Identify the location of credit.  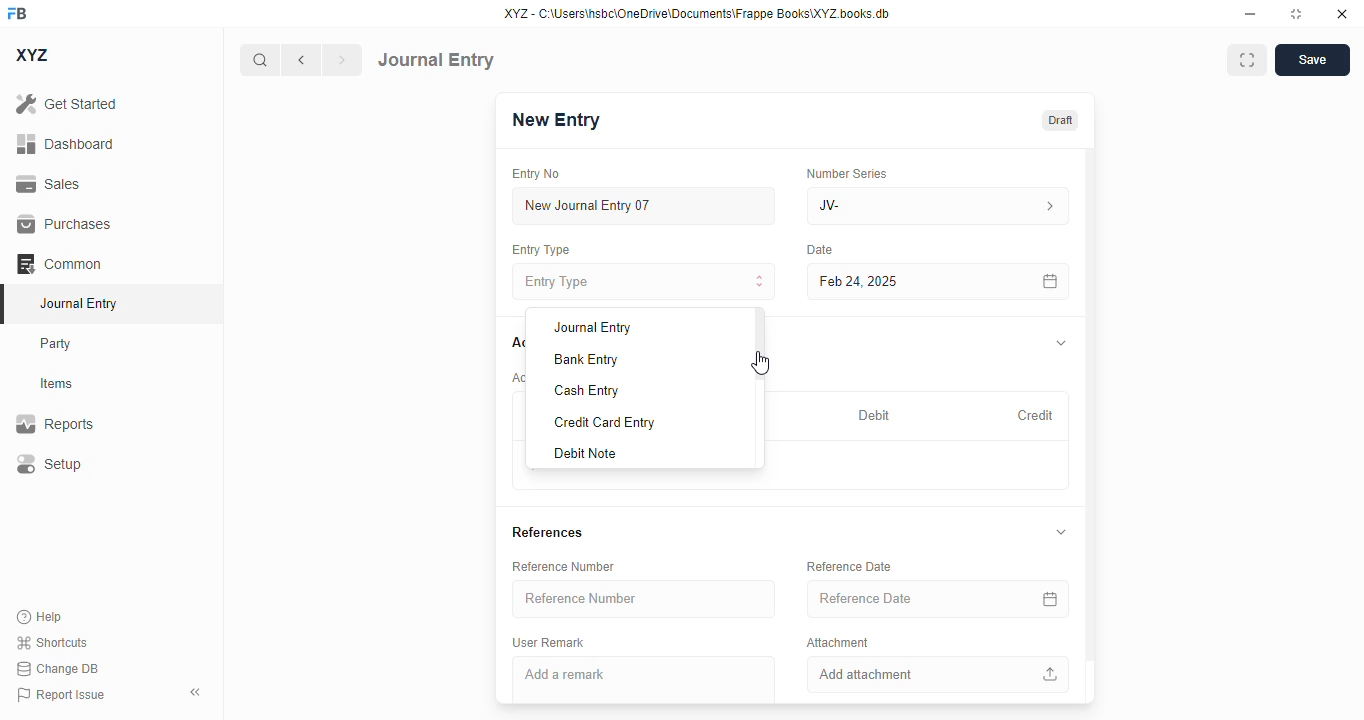
(1037, 415).